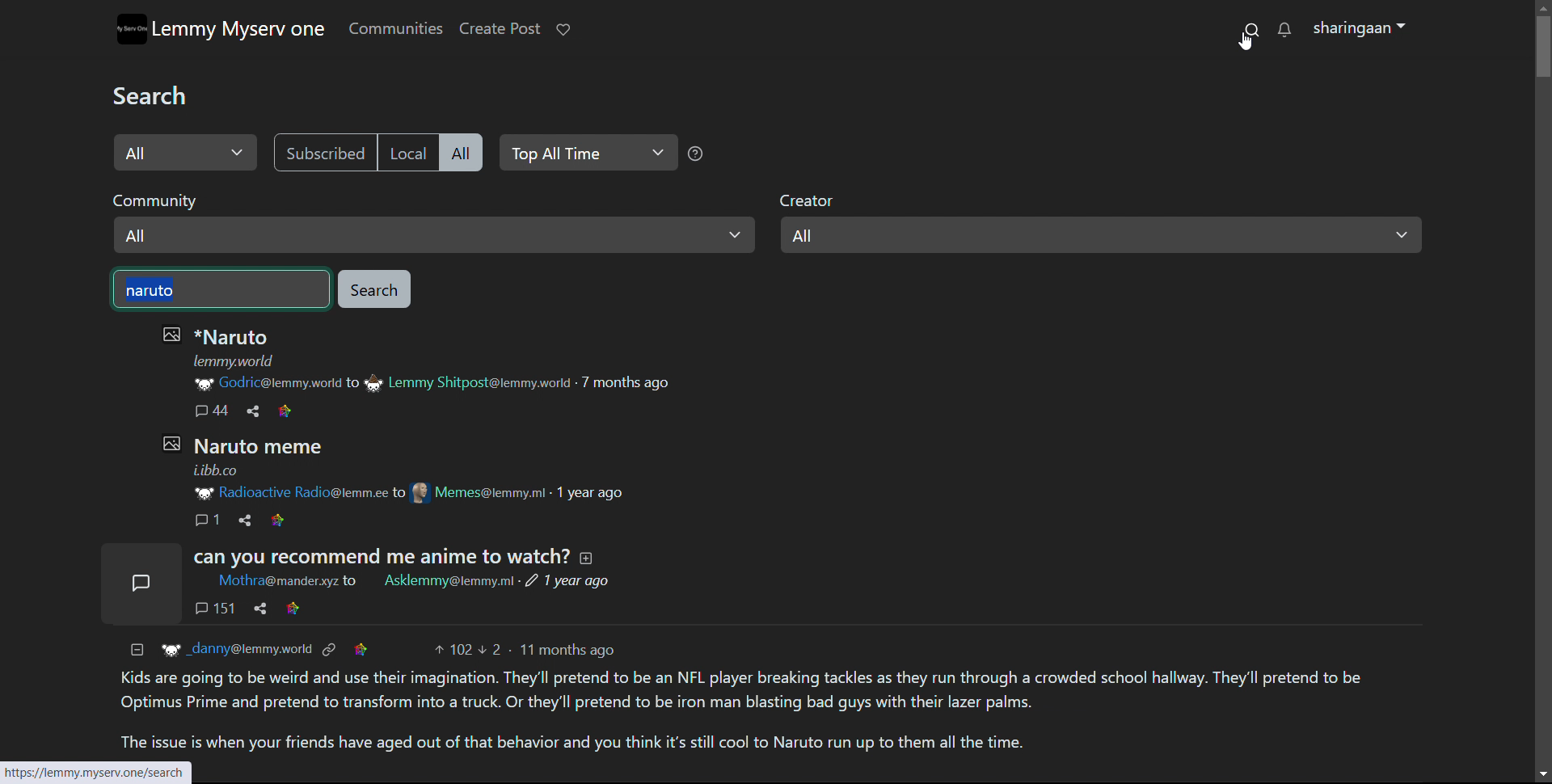 This screenshot has width=1552, height=784. I want to click on select creator, so click(1100, 224).